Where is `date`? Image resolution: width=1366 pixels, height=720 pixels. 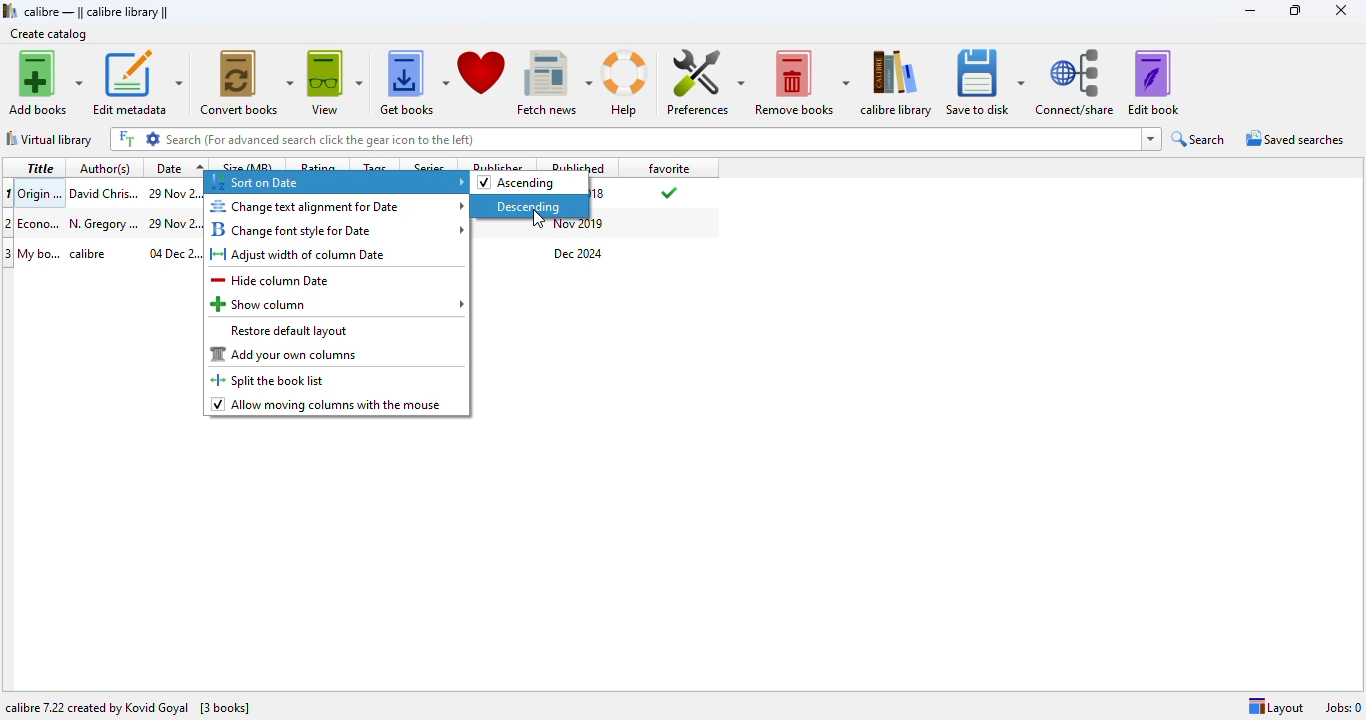
date is located at coordinates (174, 253).